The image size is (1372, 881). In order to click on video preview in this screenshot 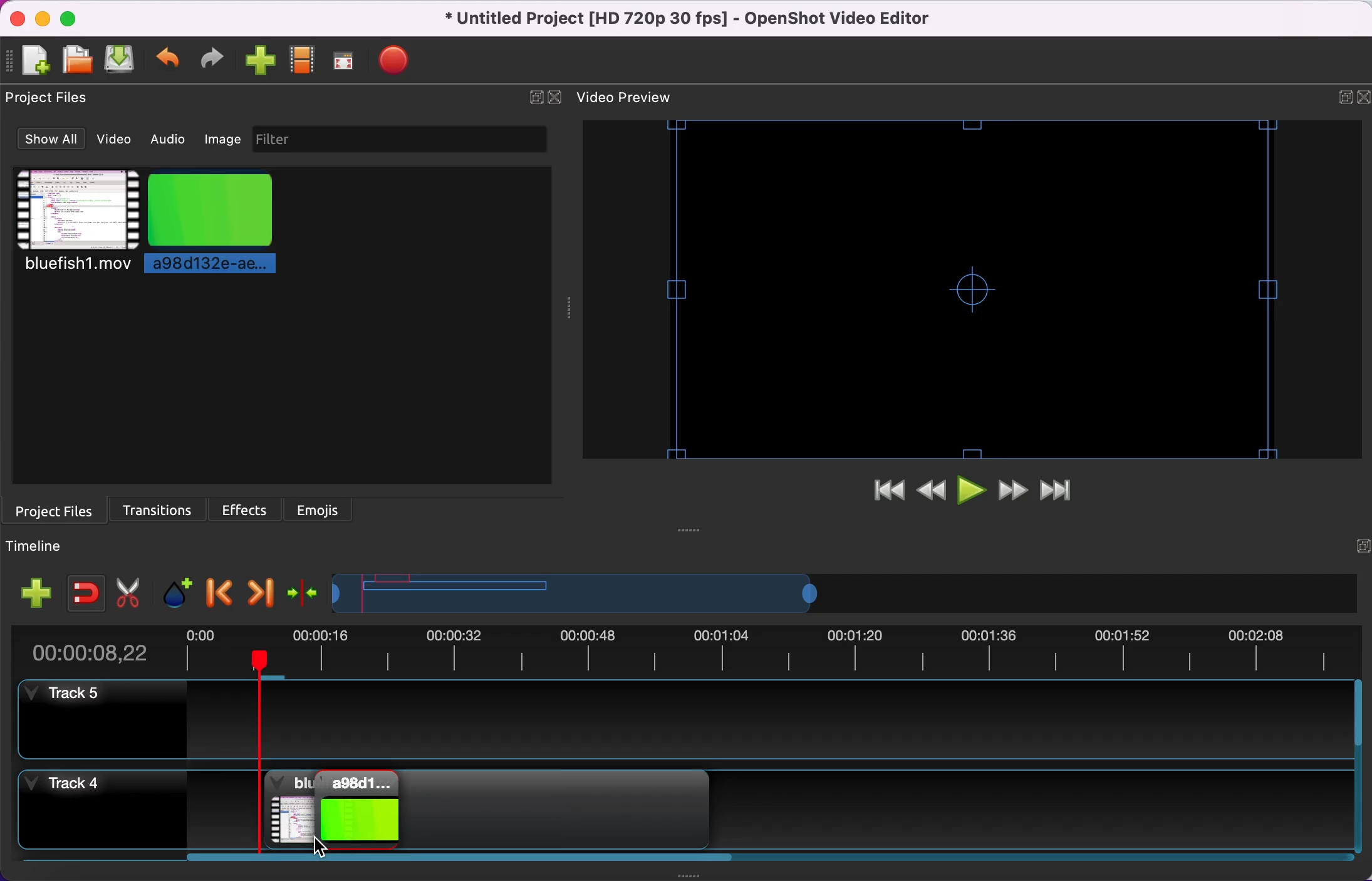, I will do `click(637, 98)`.